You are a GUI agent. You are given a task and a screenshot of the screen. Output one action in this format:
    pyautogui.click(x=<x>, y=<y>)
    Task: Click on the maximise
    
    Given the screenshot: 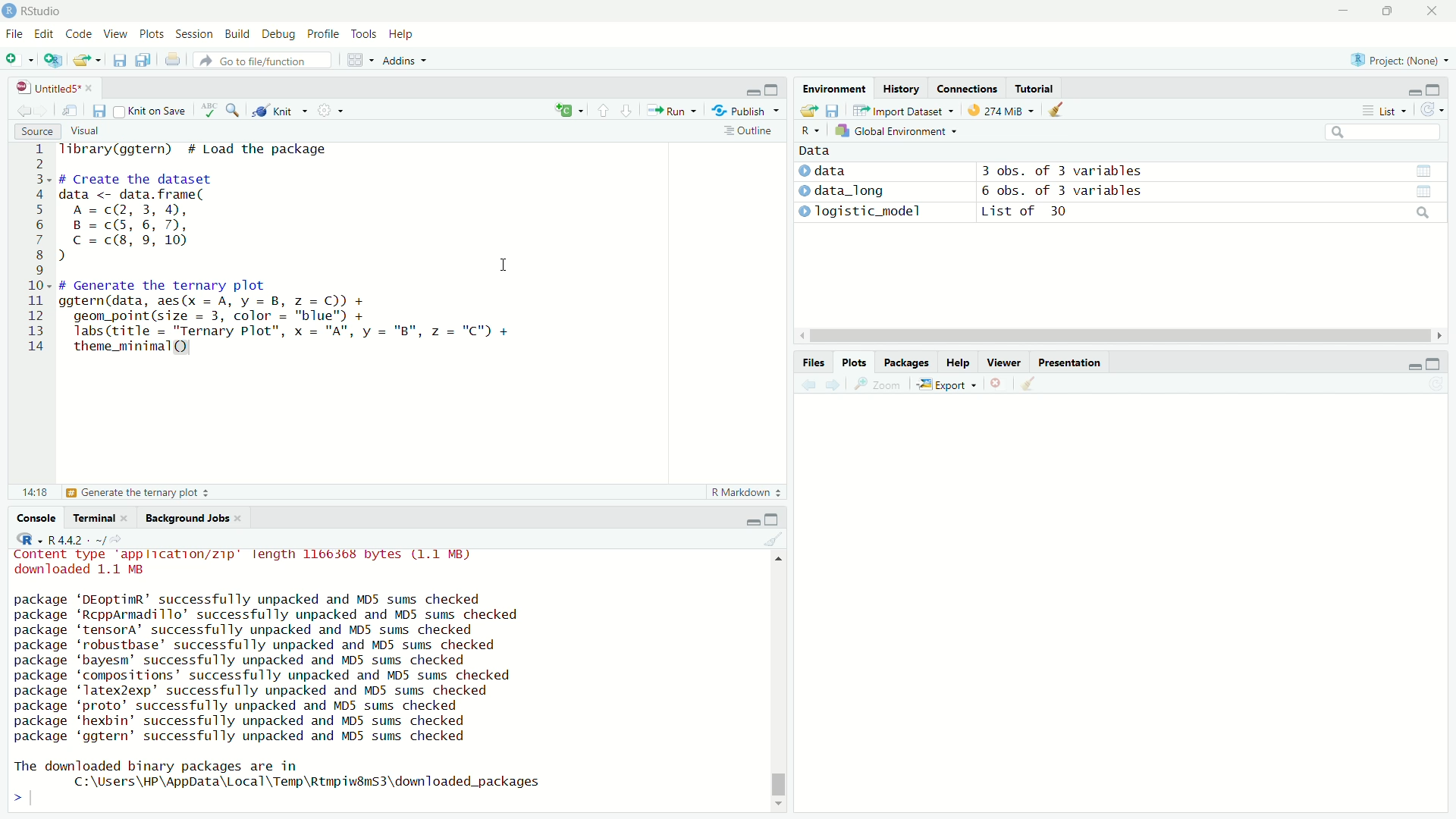 What is the action you would take?
    pyautogui.click(x=775, y=519)
    